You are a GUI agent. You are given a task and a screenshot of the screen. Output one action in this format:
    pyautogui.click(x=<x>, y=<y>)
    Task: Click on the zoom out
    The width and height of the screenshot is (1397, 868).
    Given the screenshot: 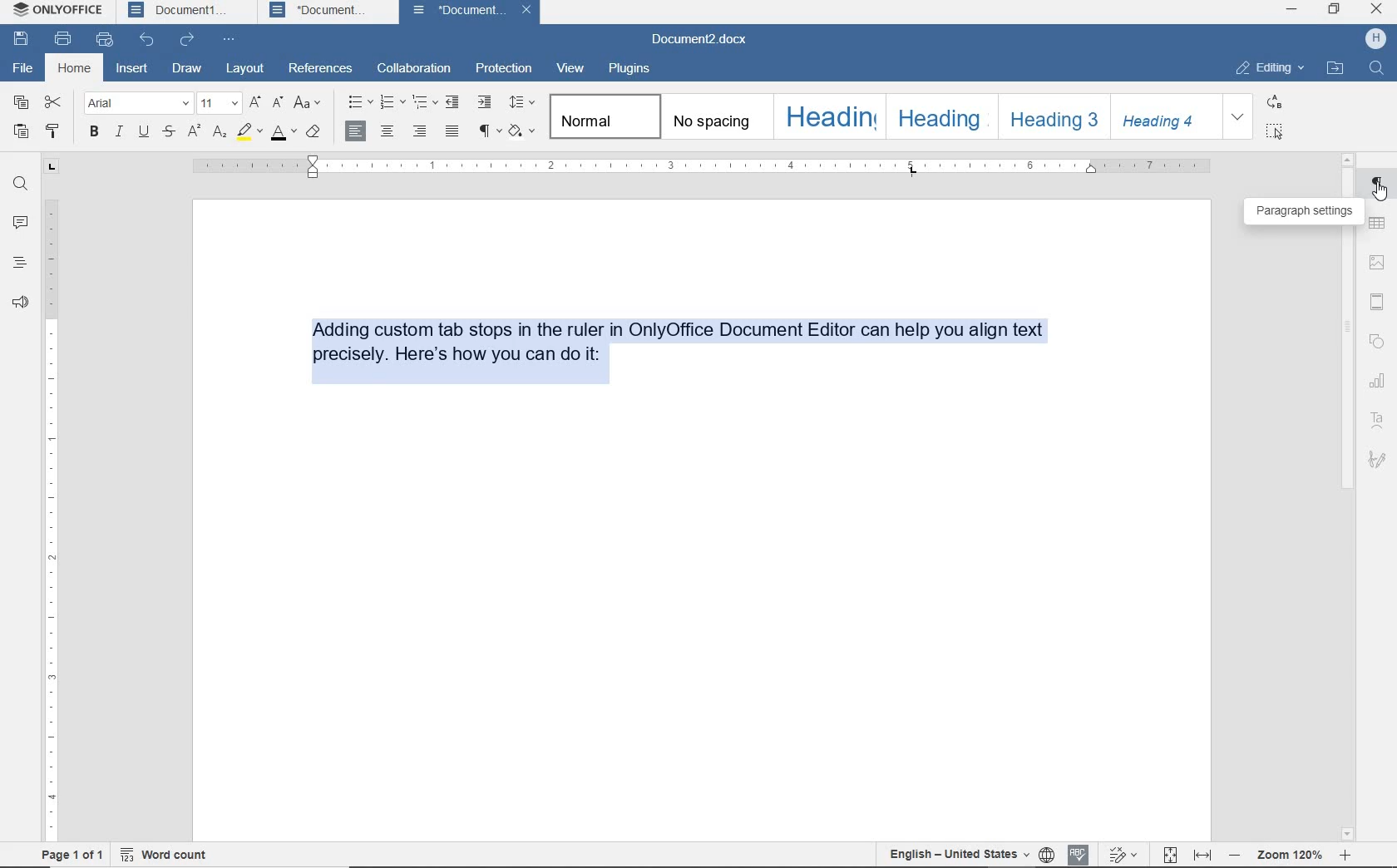 What is the action you would take?
    pyautogui.click(x=1233, y=857)
    